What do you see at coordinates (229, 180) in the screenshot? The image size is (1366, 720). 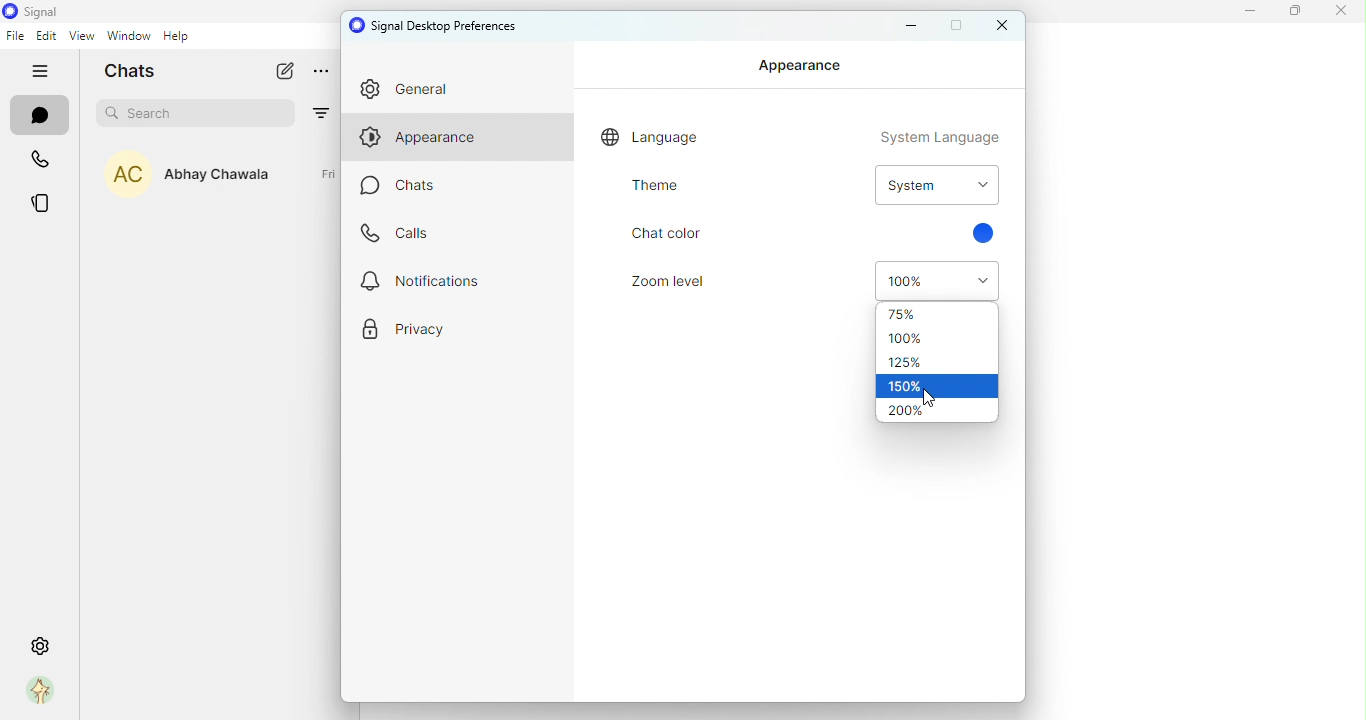 I see `Abhay Chawla` at bounding box center [229, 180].